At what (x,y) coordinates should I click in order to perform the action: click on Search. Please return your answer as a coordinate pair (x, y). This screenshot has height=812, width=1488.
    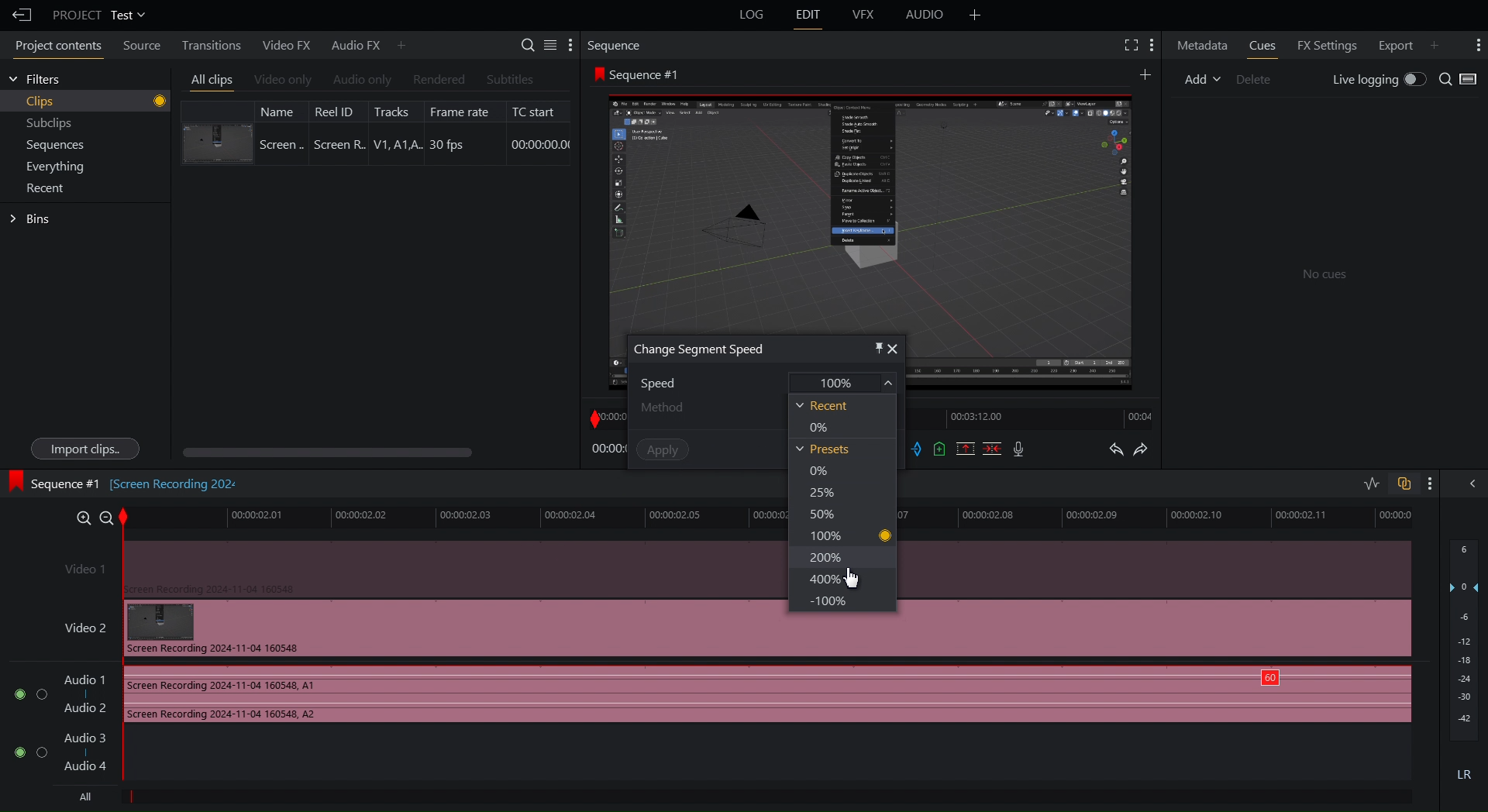
    Looking at the image, I should click on (1459, 80).